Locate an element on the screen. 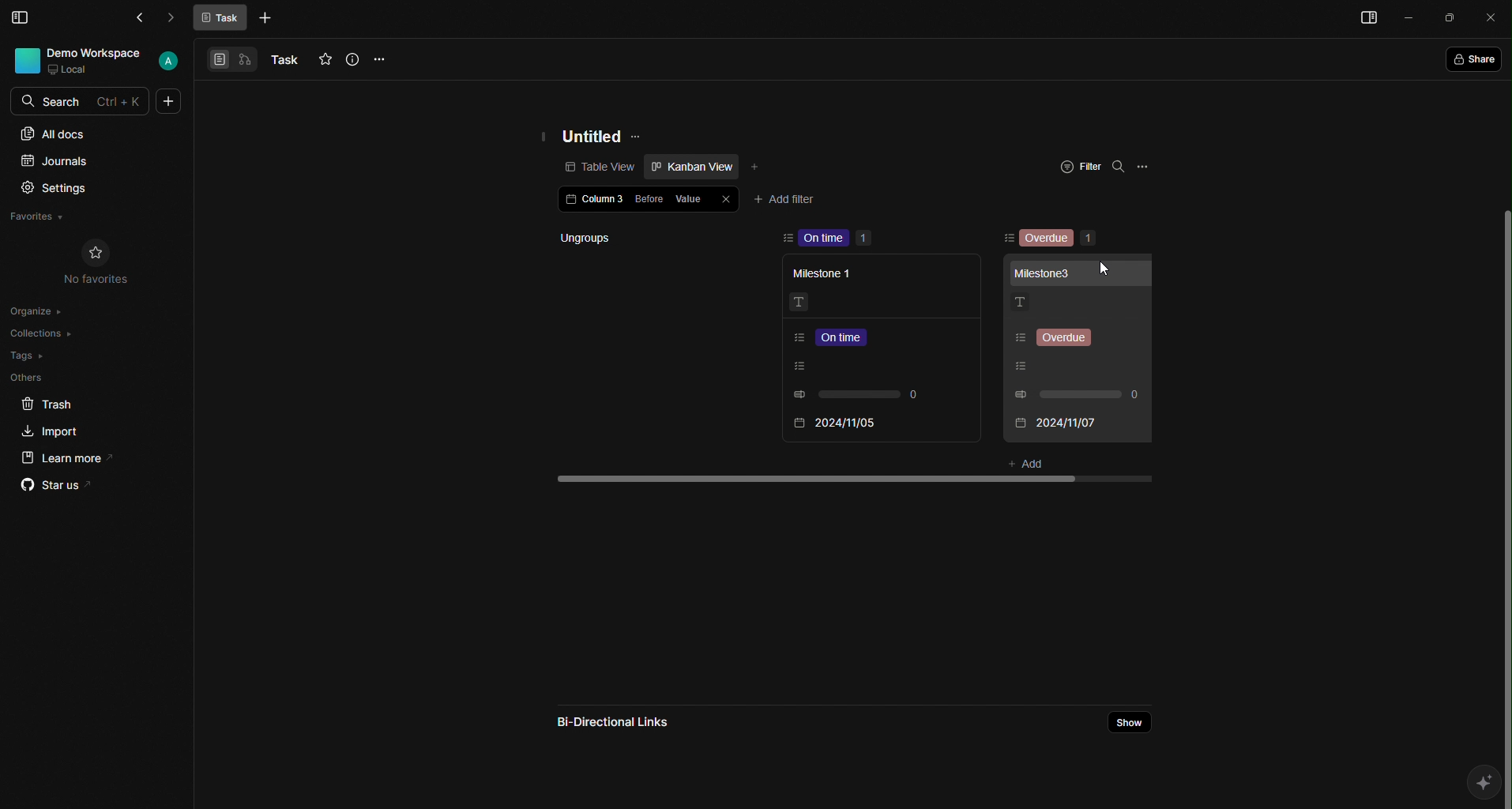 The height and width of the screenshot is (809, 1512). sort is located at coordinates (788, 238).